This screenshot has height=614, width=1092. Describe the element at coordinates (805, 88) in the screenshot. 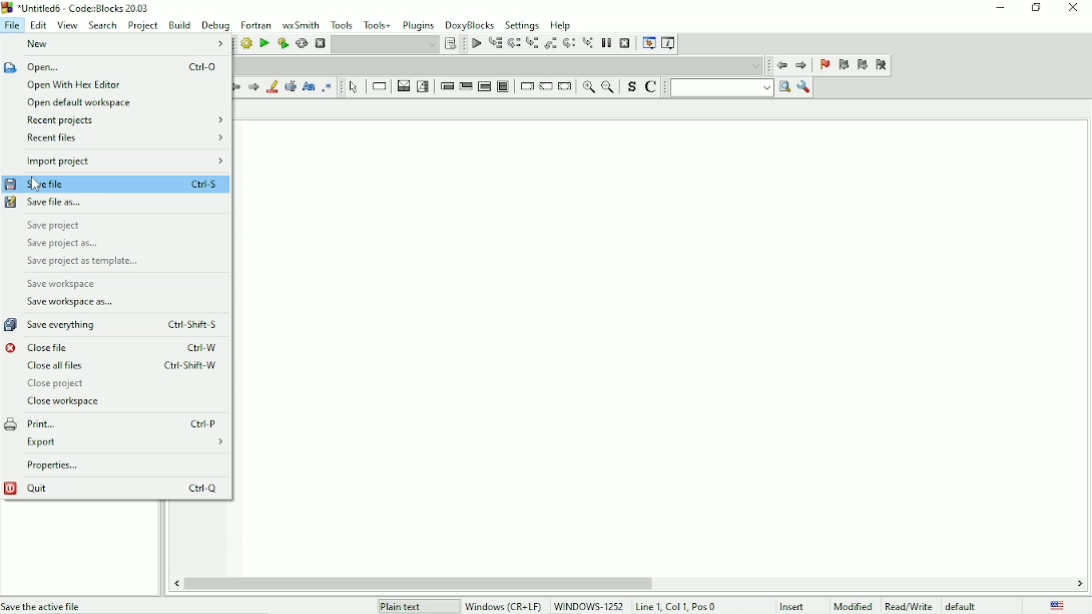

I see `Show options window` at that location.